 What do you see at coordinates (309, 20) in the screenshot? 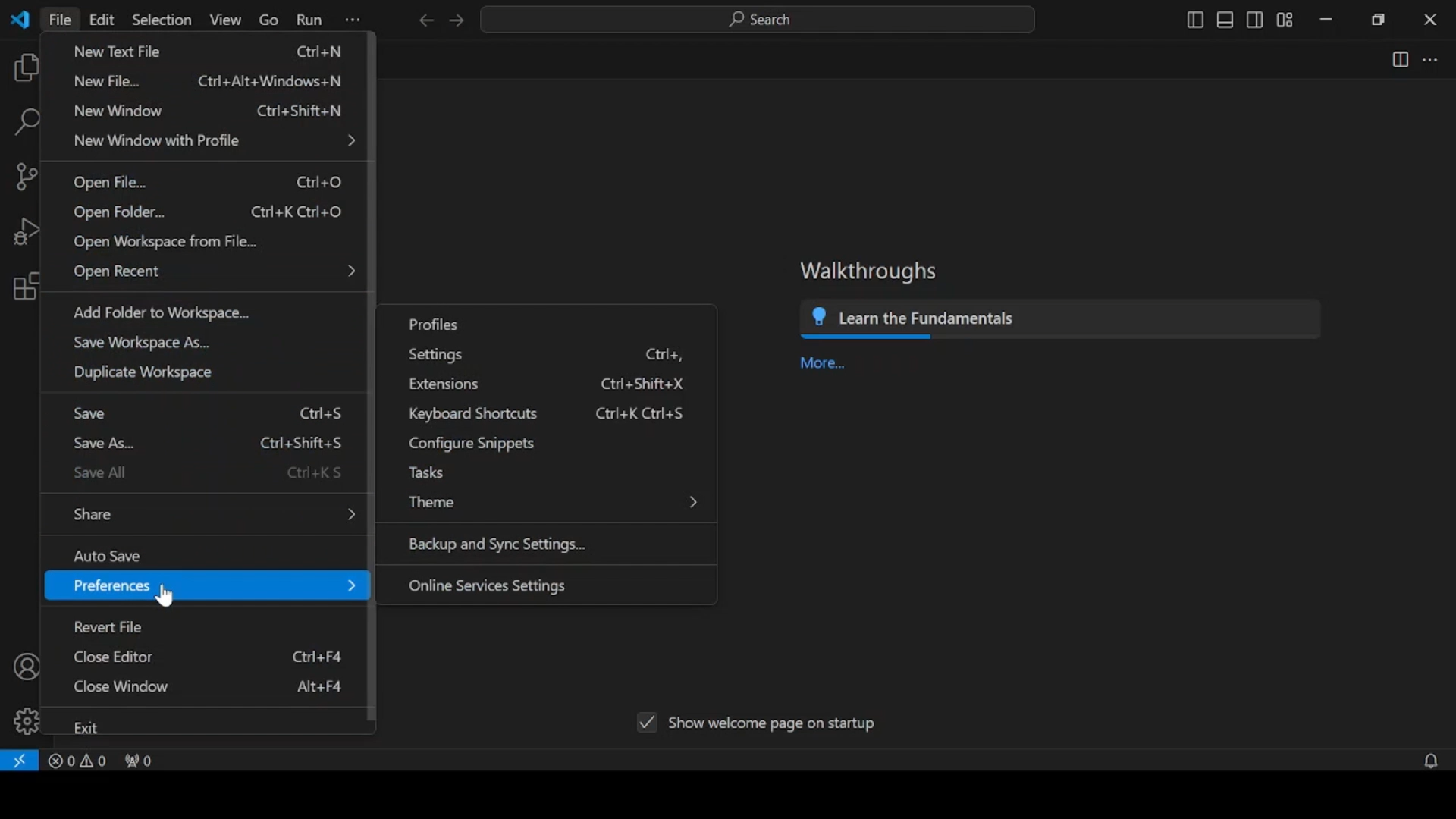
I see `run` at bounding box center [309, 20].